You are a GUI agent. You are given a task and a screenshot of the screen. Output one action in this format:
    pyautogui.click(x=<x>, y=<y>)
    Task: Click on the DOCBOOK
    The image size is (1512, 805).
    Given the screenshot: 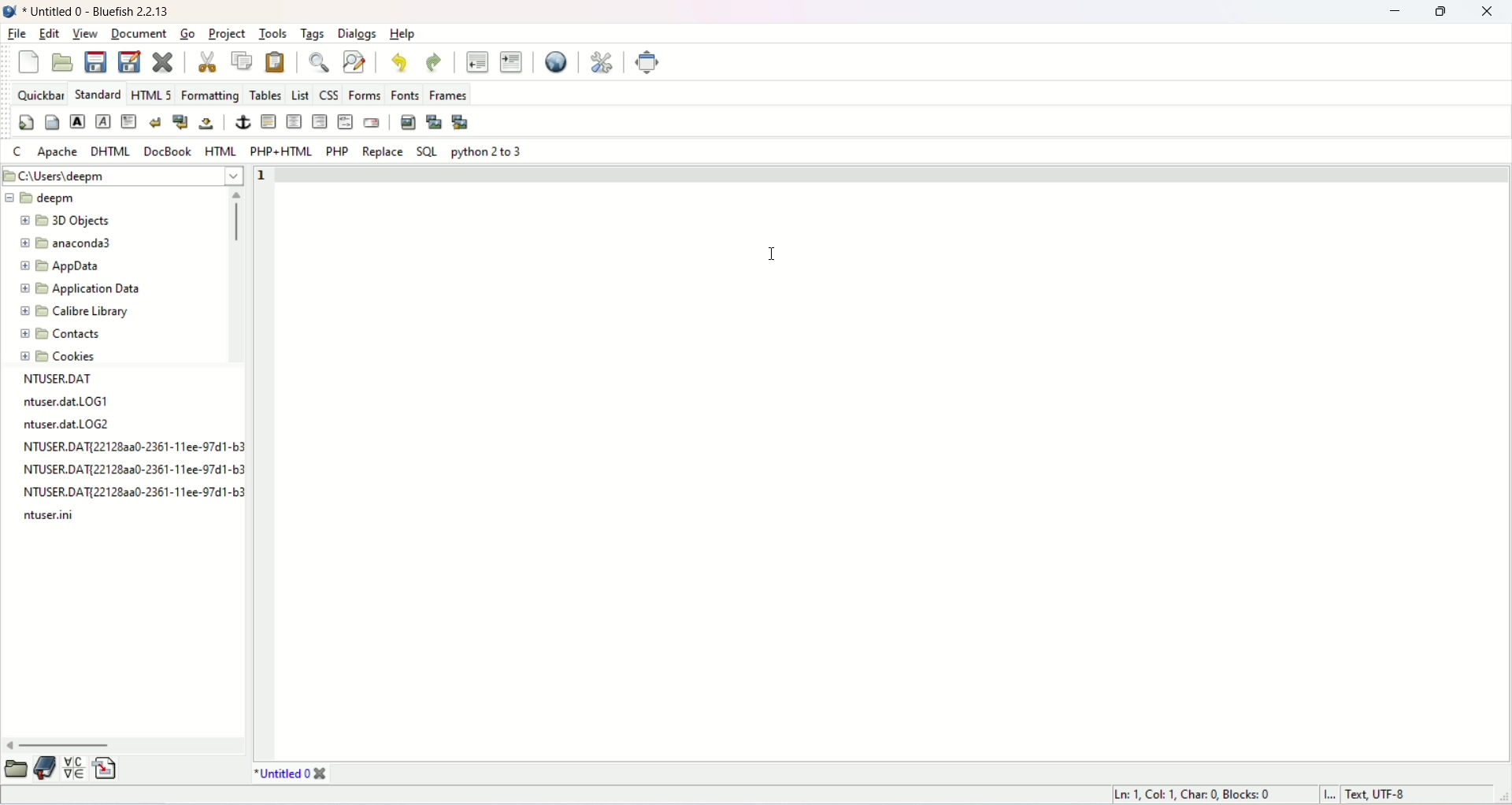 What is the action you would take?
    pyautogui.click(x=162, y=154)
    